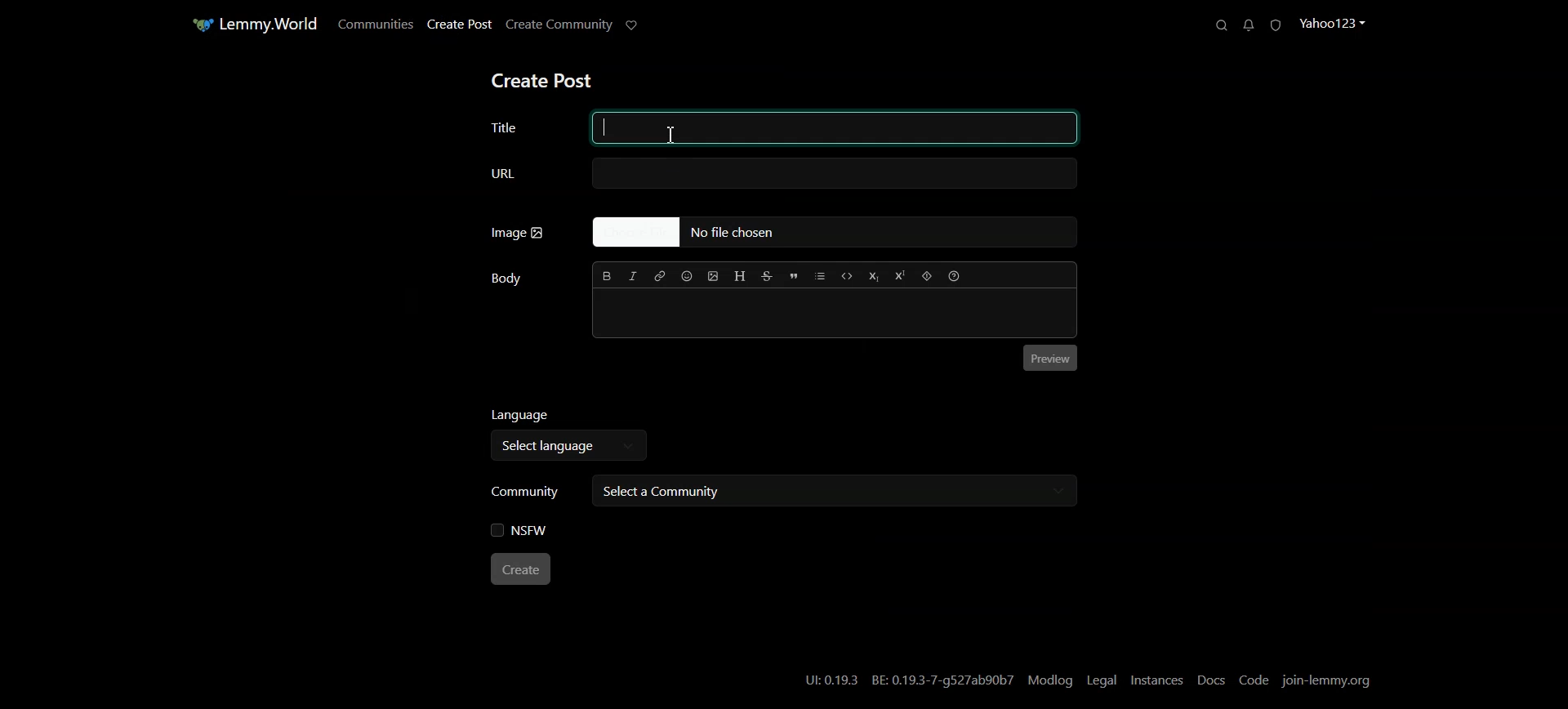  Describe the element at coordinates (526, 489) in the screenshot. I see `Community` at that location.